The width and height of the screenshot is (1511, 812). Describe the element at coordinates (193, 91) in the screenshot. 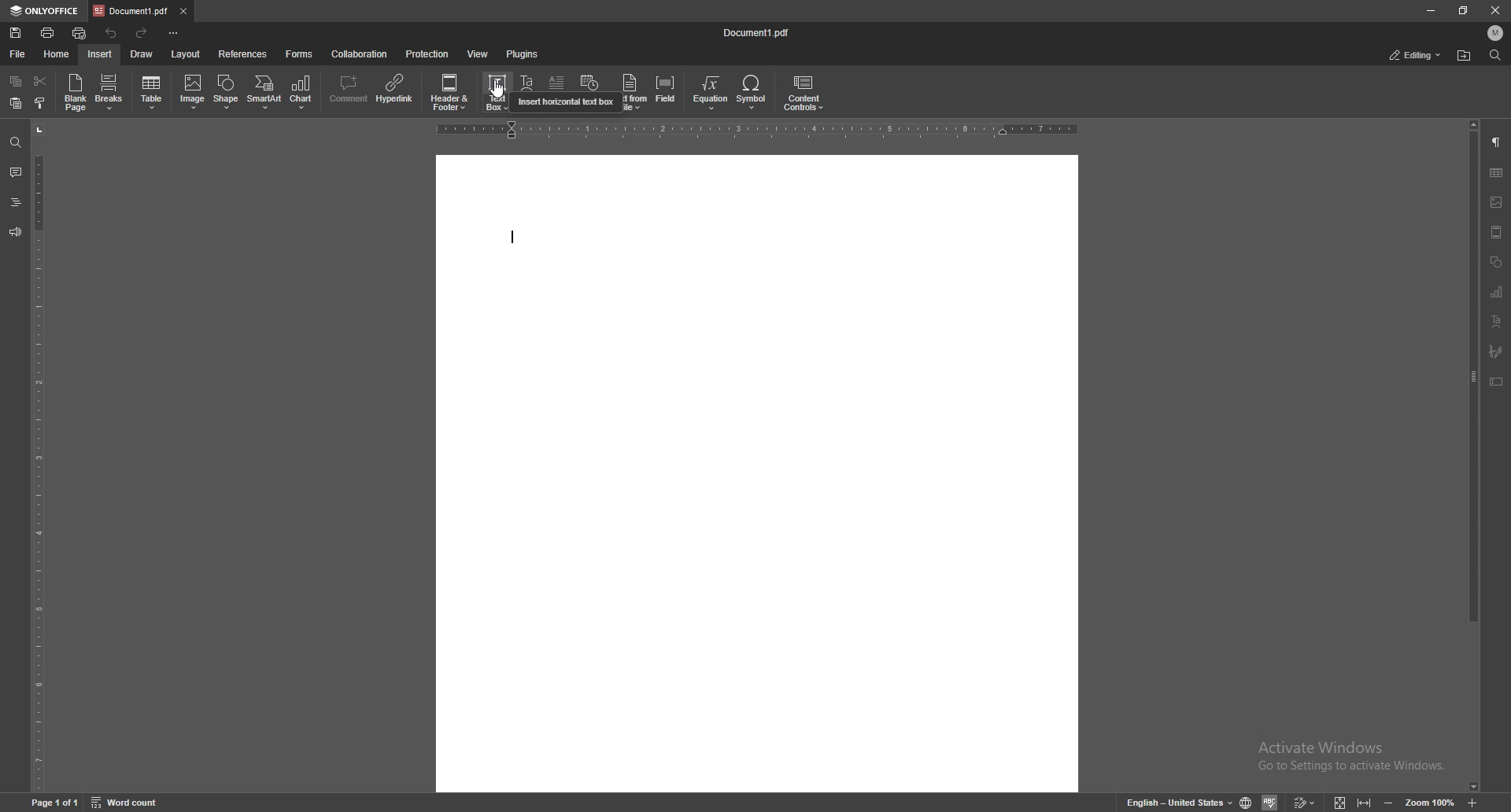

I see `image` at that location.